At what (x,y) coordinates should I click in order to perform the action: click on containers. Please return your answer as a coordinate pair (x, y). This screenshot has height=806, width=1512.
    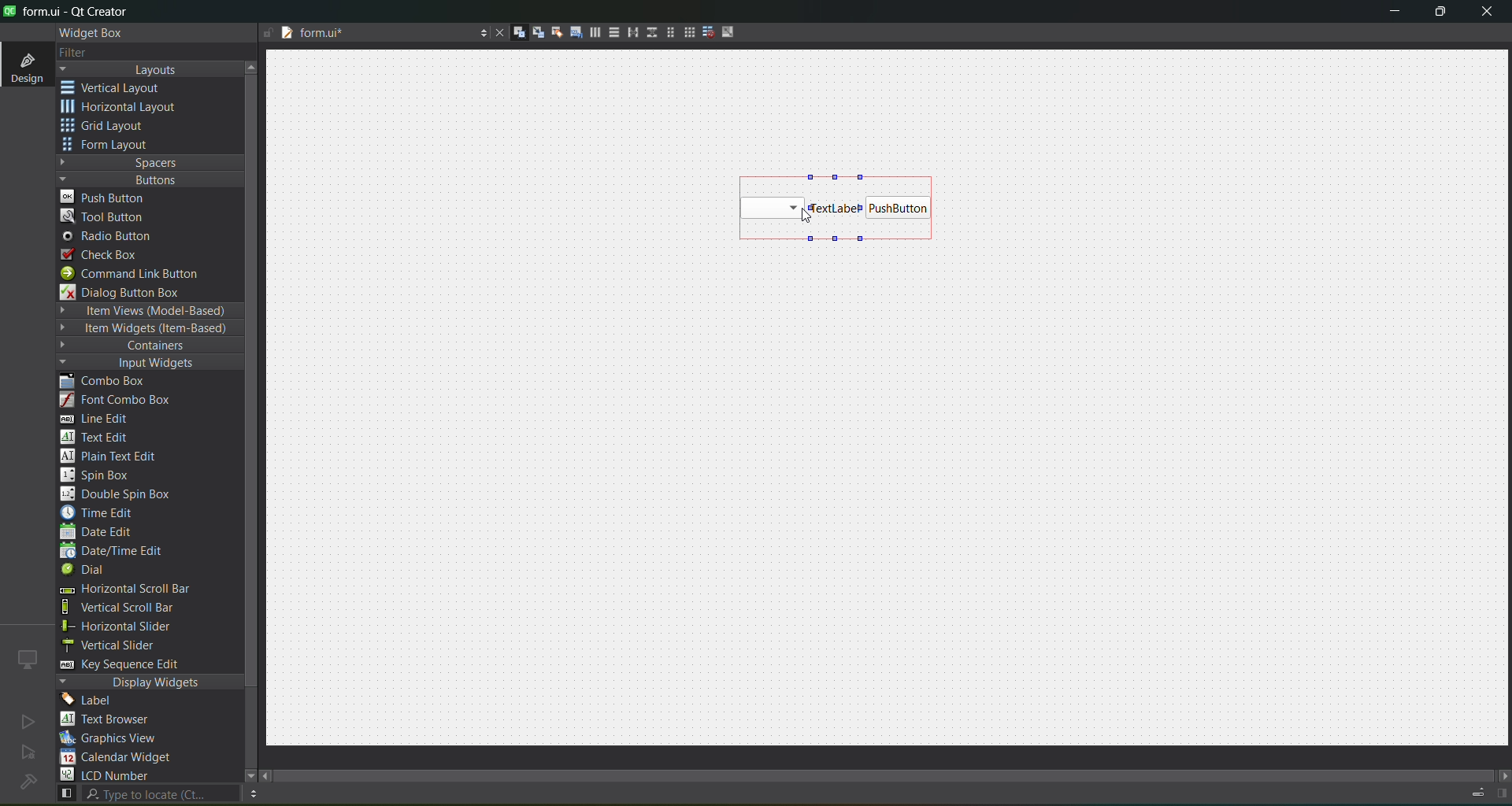
    Looking at the image, I should click on (142, 346).